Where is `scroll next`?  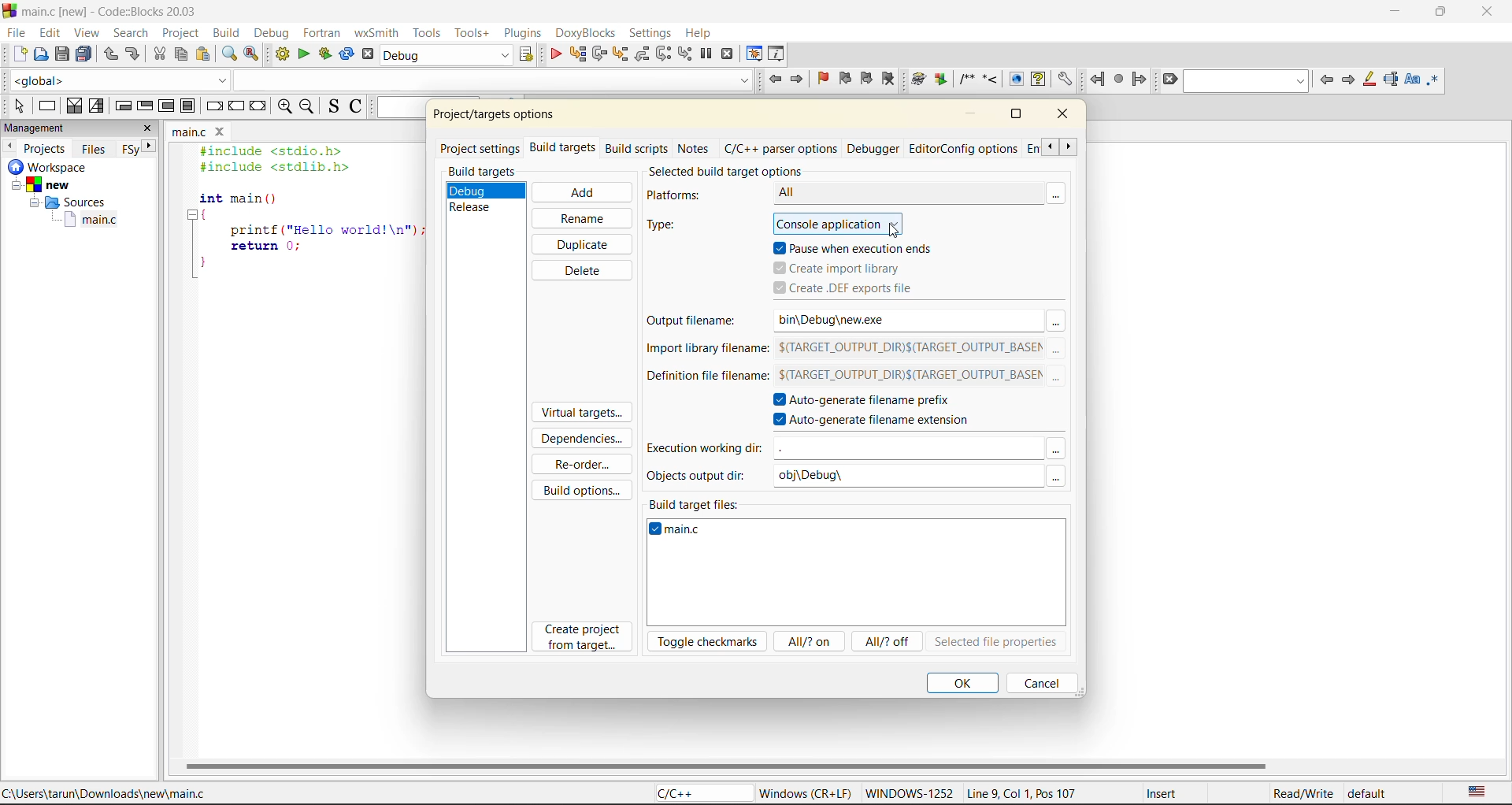
scroll next is located at coordinates (1070, 146).